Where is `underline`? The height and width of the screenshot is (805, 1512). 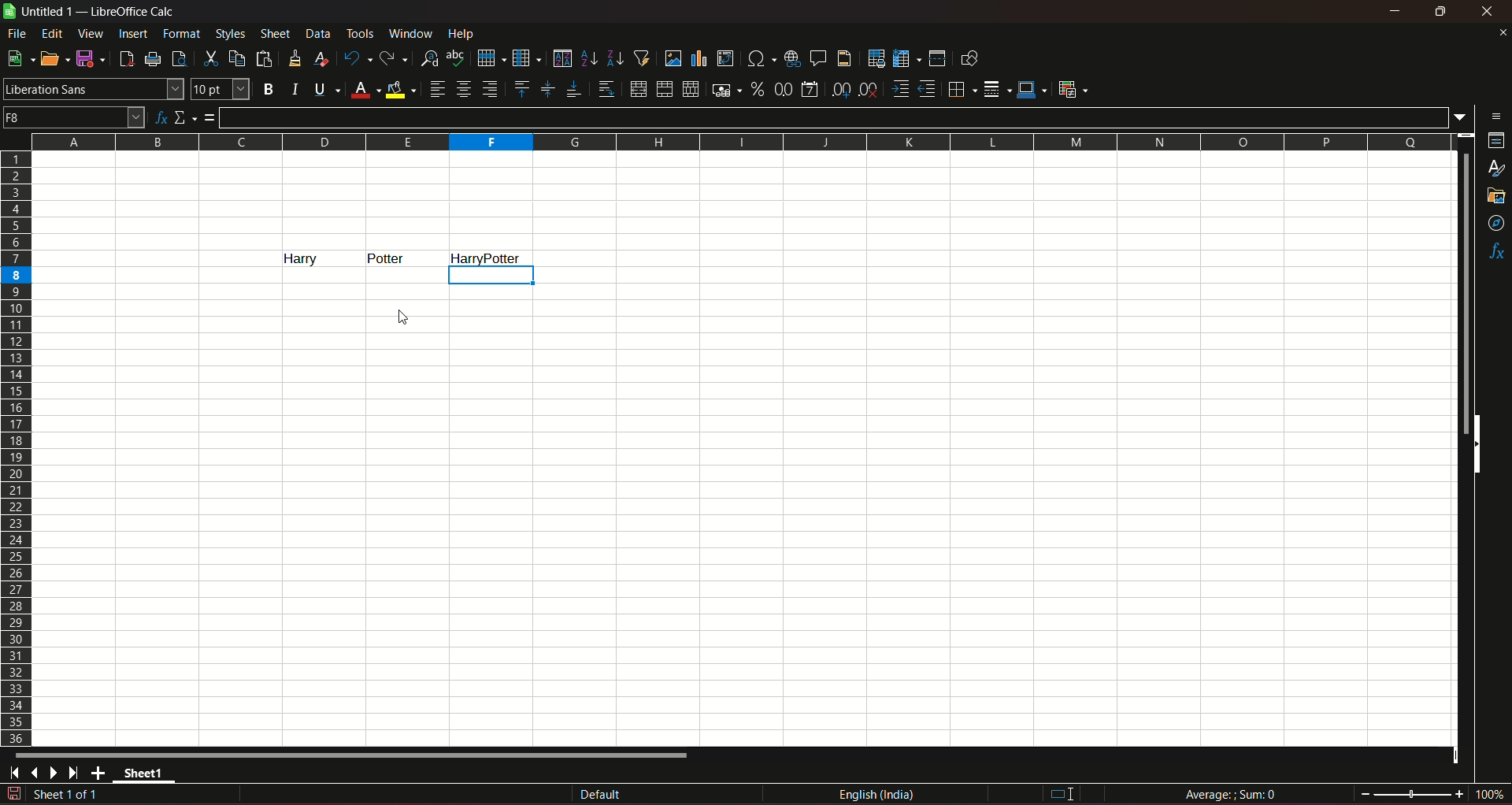
underline is located at coordinates (326, 89).